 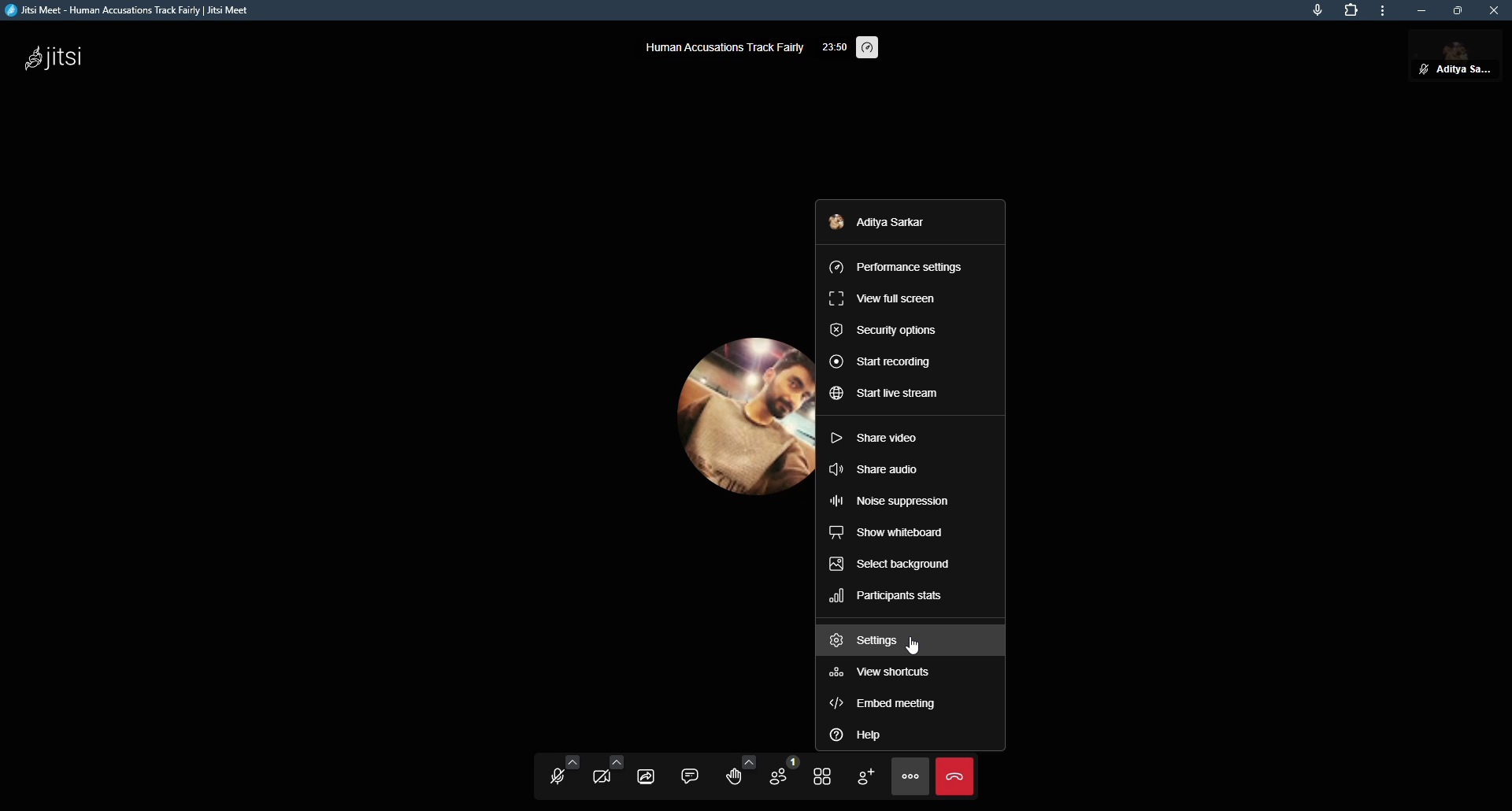 What do you see at coordinates (893, 501) in the screenshot?
I see `noise suppression` at bounding box center [893, 501].